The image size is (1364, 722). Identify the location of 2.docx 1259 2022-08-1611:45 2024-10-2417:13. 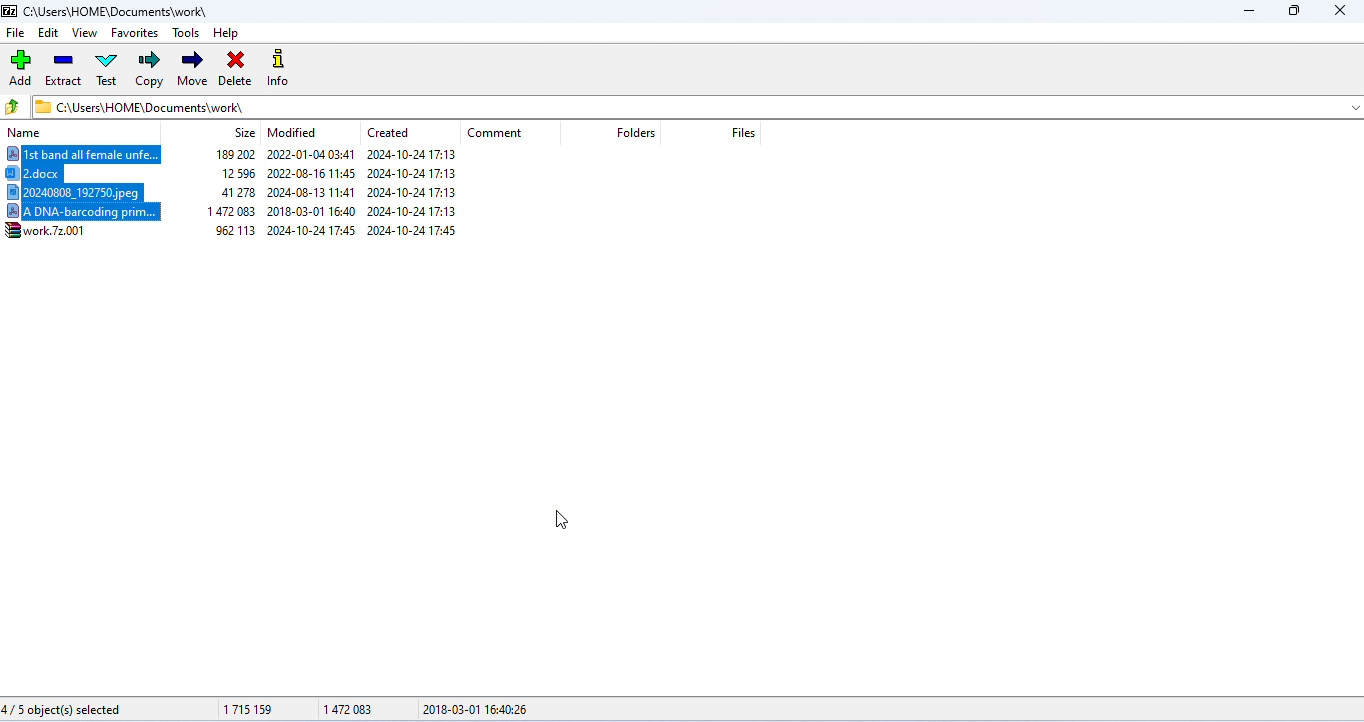
(246, 175).